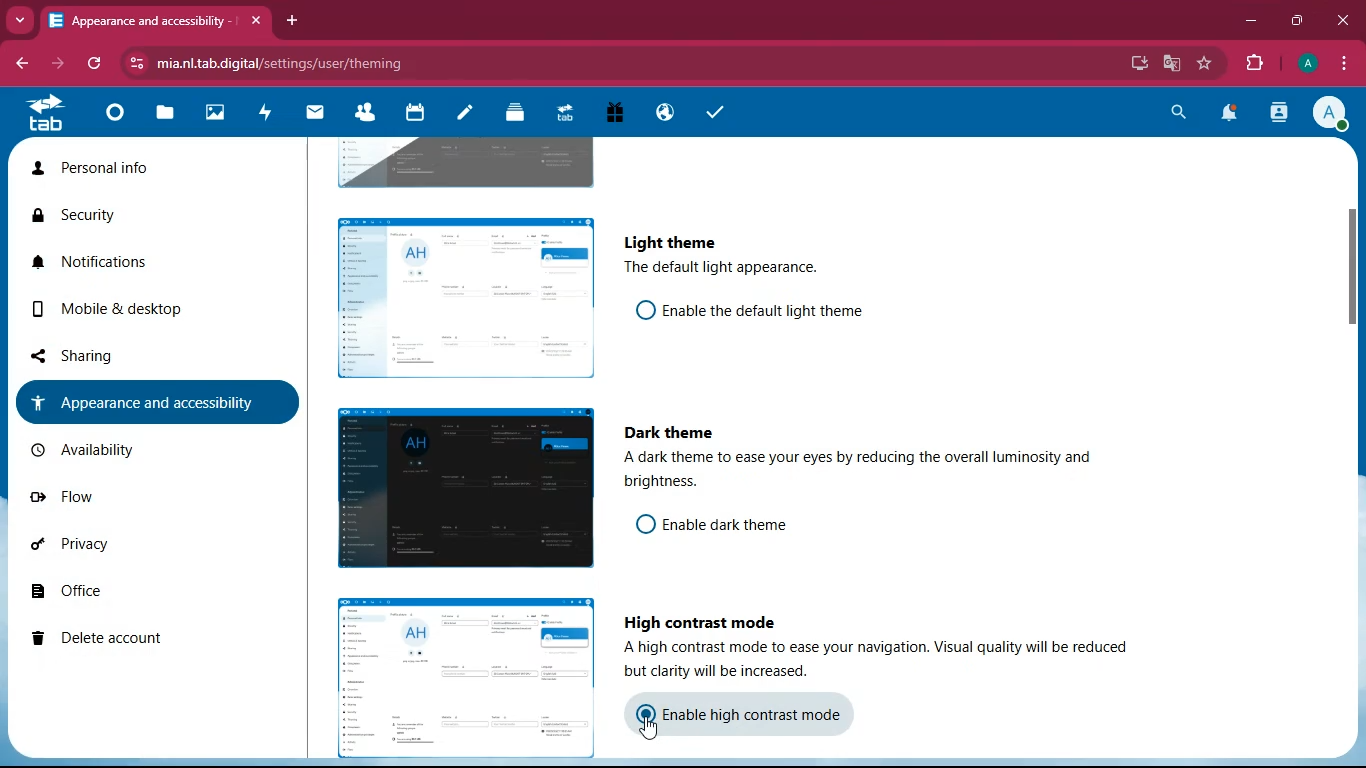  I want to click on image, so click(460, 490).